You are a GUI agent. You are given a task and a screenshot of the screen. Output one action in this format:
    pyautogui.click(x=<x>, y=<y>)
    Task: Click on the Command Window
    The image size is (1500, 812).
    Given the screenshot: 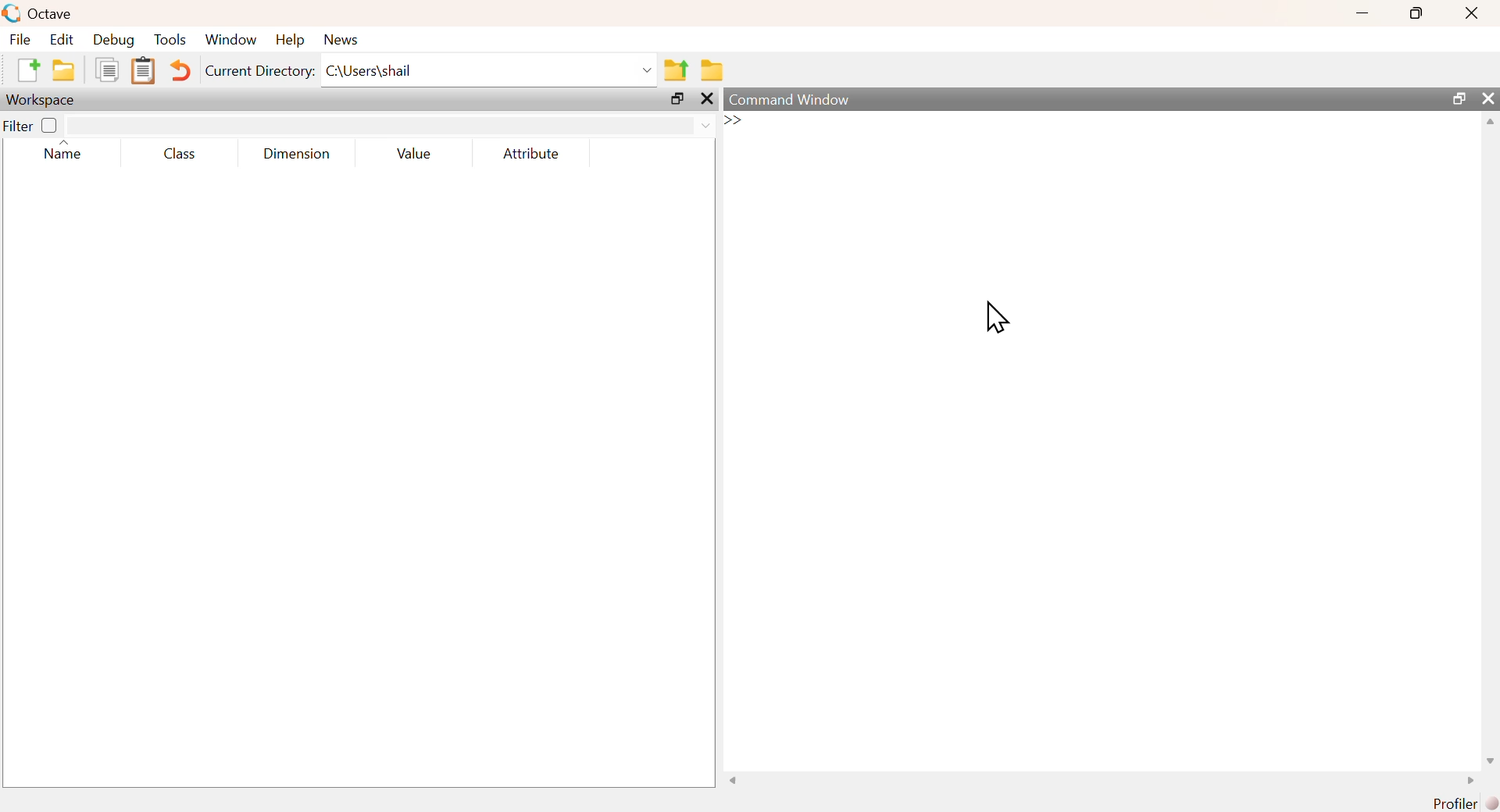 What is the action you would take?
    pyautogui.click(x=794, y=100)
    